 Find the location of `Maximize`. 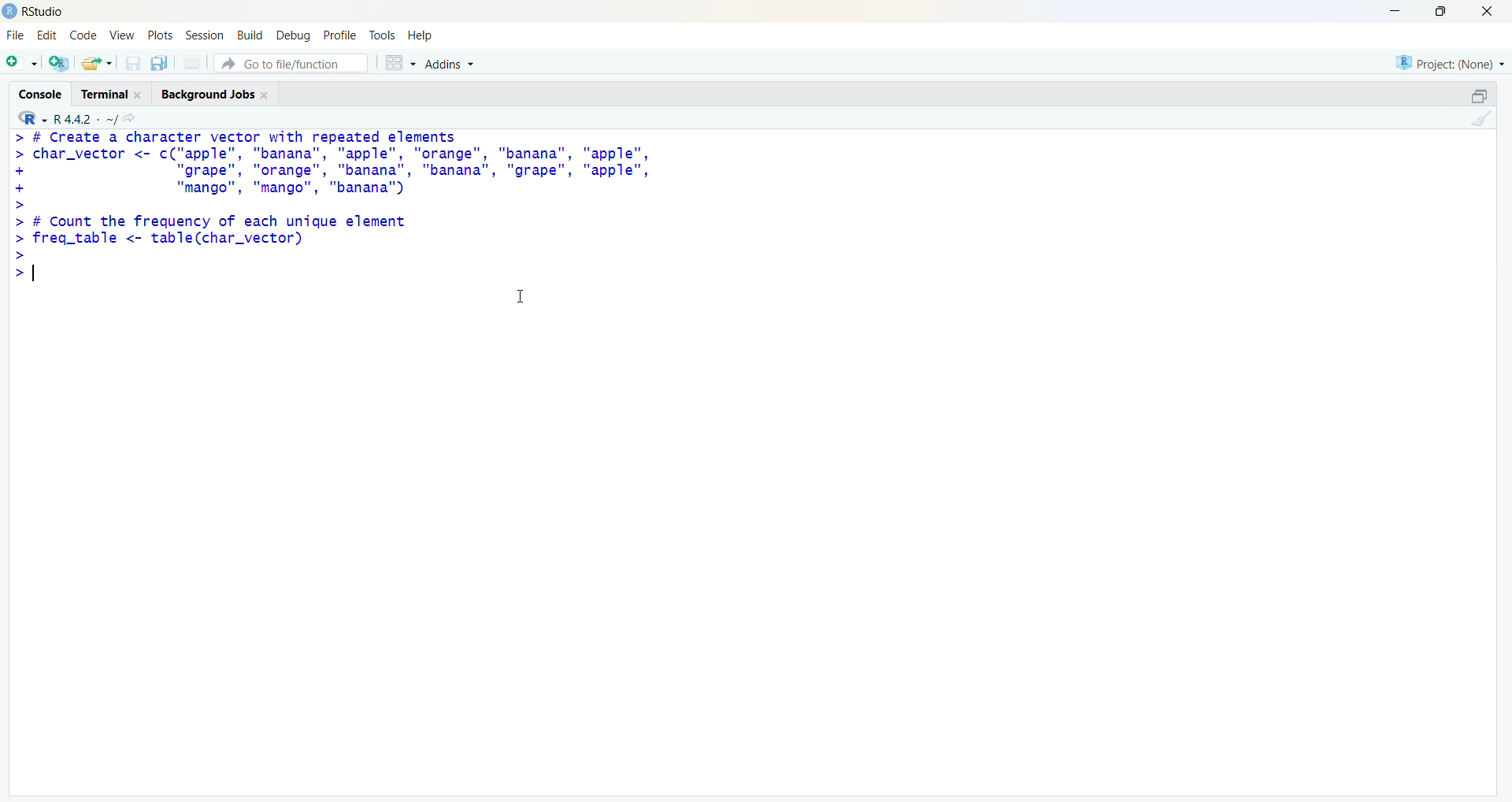

Maximize is located at coordinates (1441, 14).